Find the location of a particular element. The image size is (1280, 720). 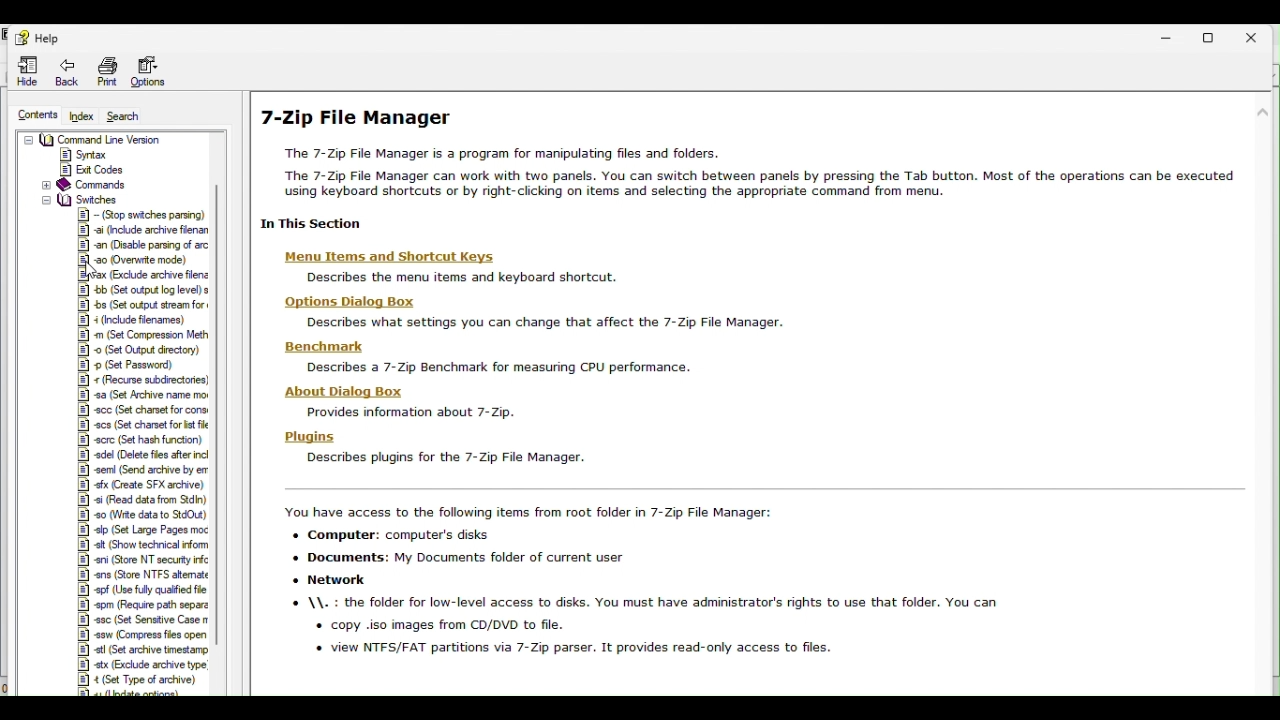

§] +p (Set Large Pages moc is located at coordinates (141, 529).